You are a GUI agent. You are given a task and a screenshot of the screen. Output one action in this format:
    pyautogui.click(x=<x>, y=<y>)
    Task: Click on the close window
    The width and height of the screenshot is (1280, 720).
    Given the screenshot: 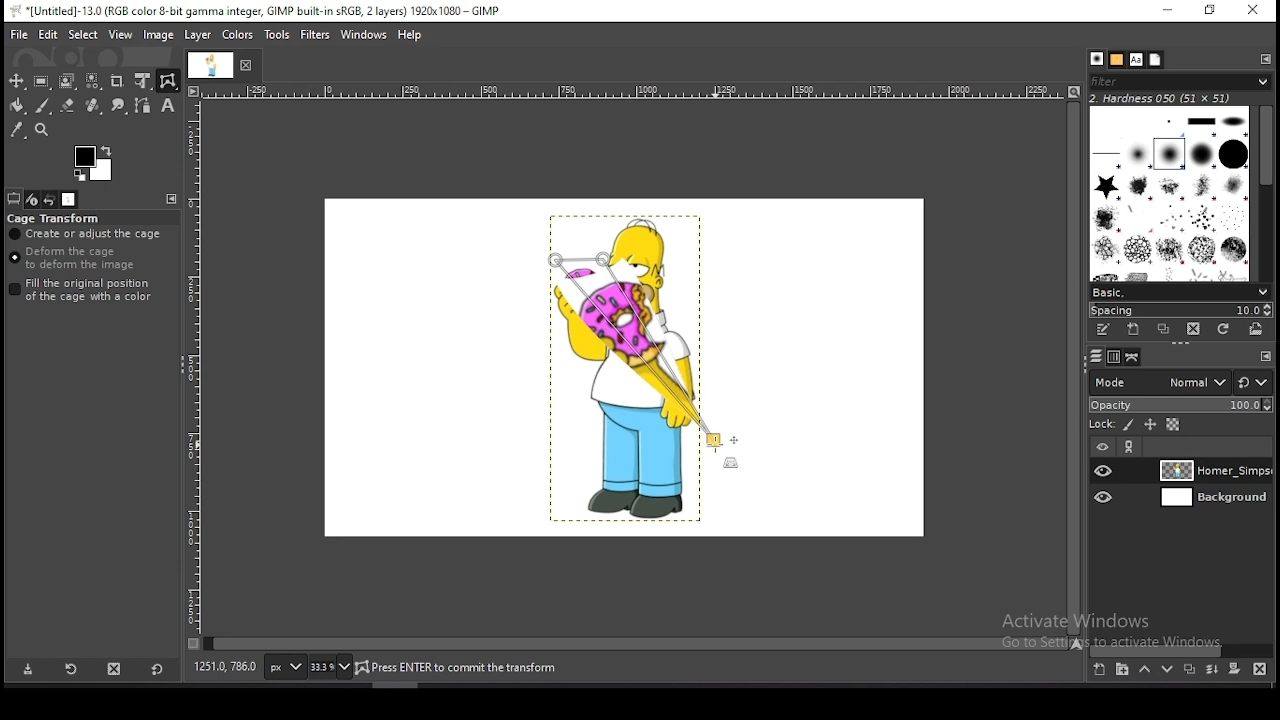 What is the action you would take?
    pyautogui.click(x=1252, y=12)
    